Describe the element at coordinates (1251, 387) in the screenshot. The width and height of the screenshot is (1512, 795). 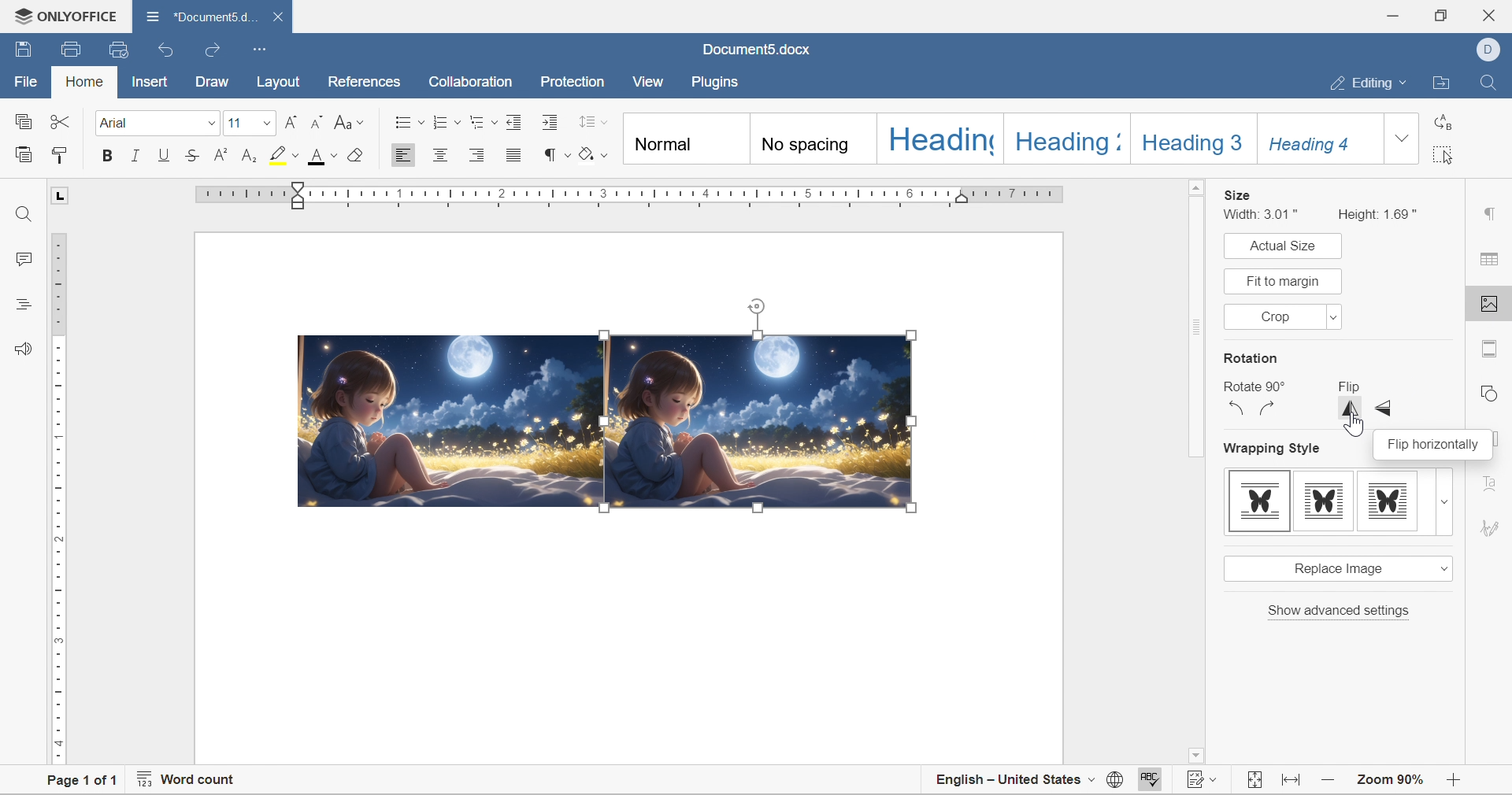
I see `rotate 90°` at that location.